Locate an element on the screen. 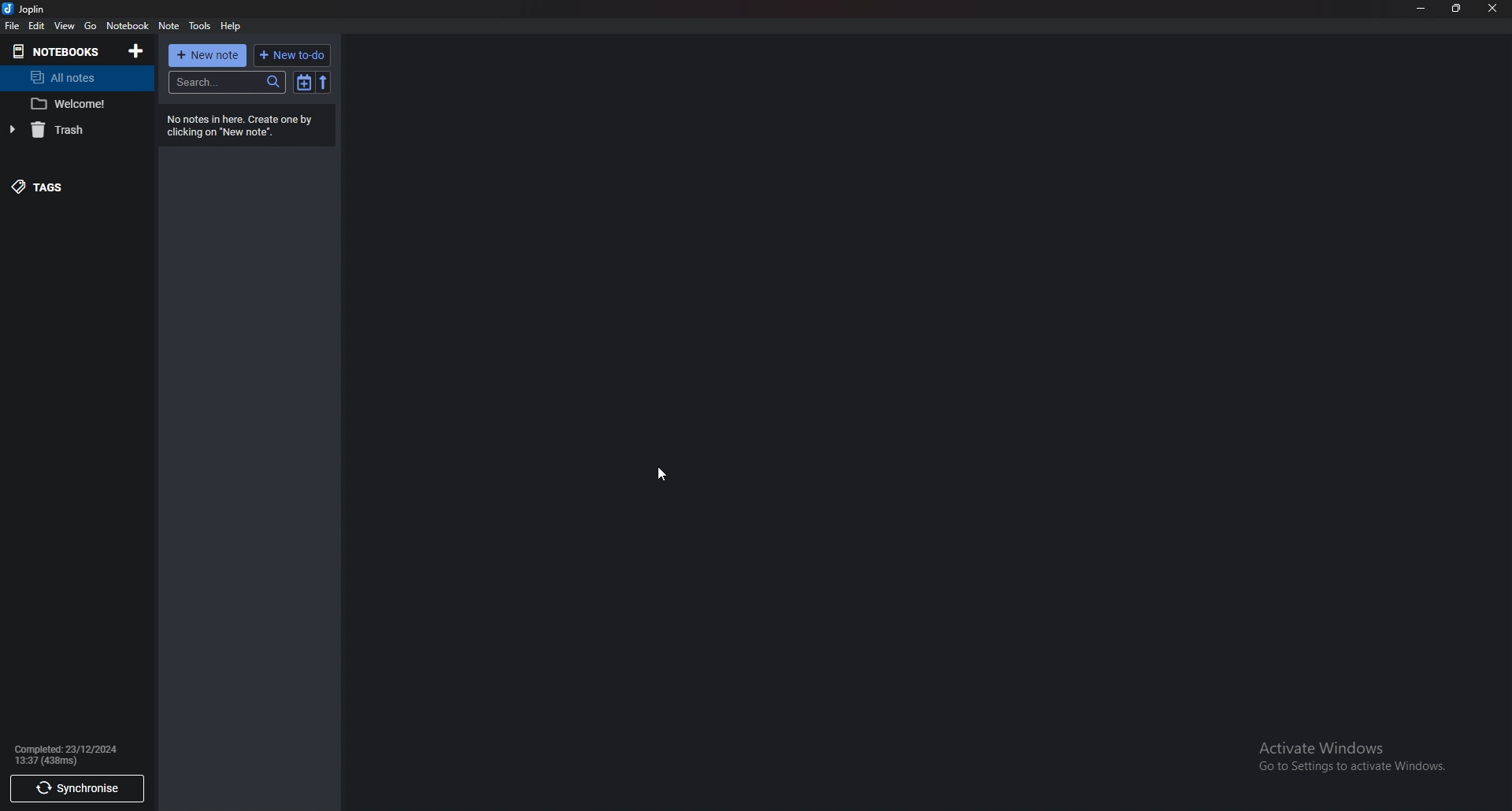 The width and height of the screenshot is (1512, 811). notebooks is located at coordinates (60, 52).